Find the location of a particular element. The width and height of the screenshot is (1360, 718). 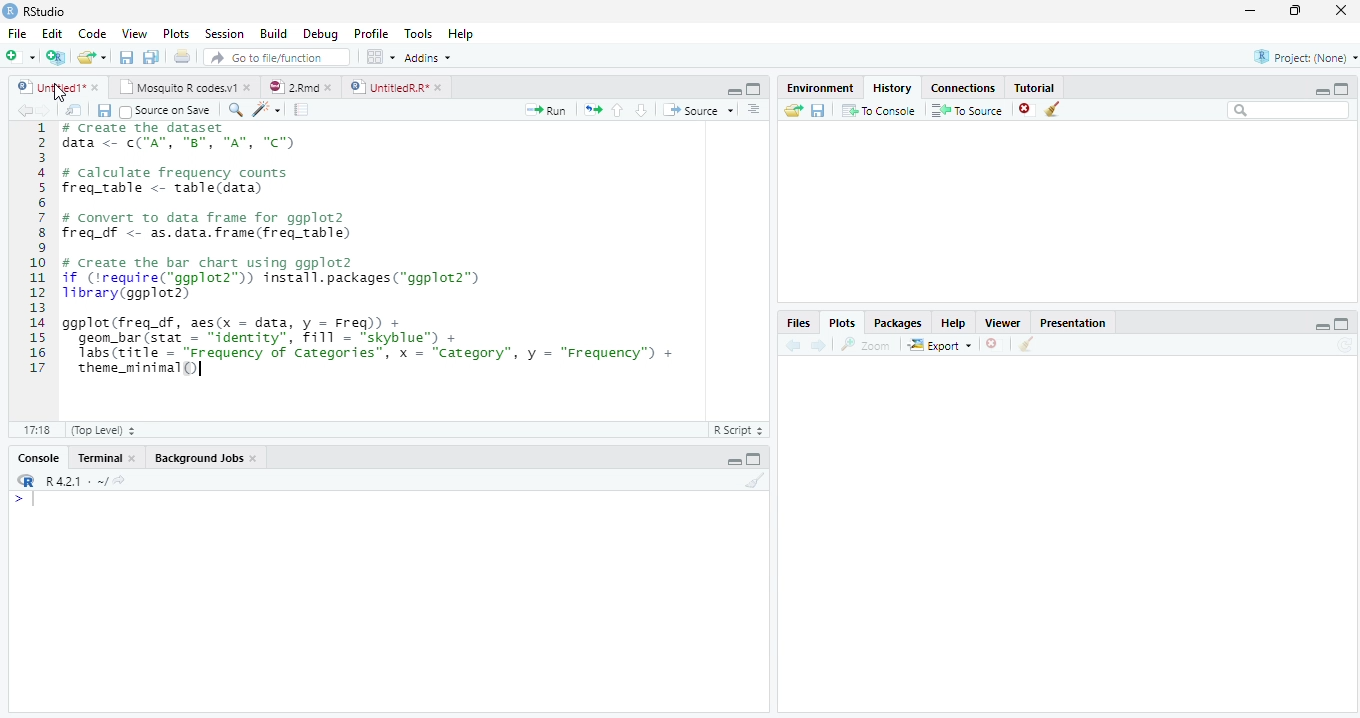

To source is located at coordinates (969, 110).